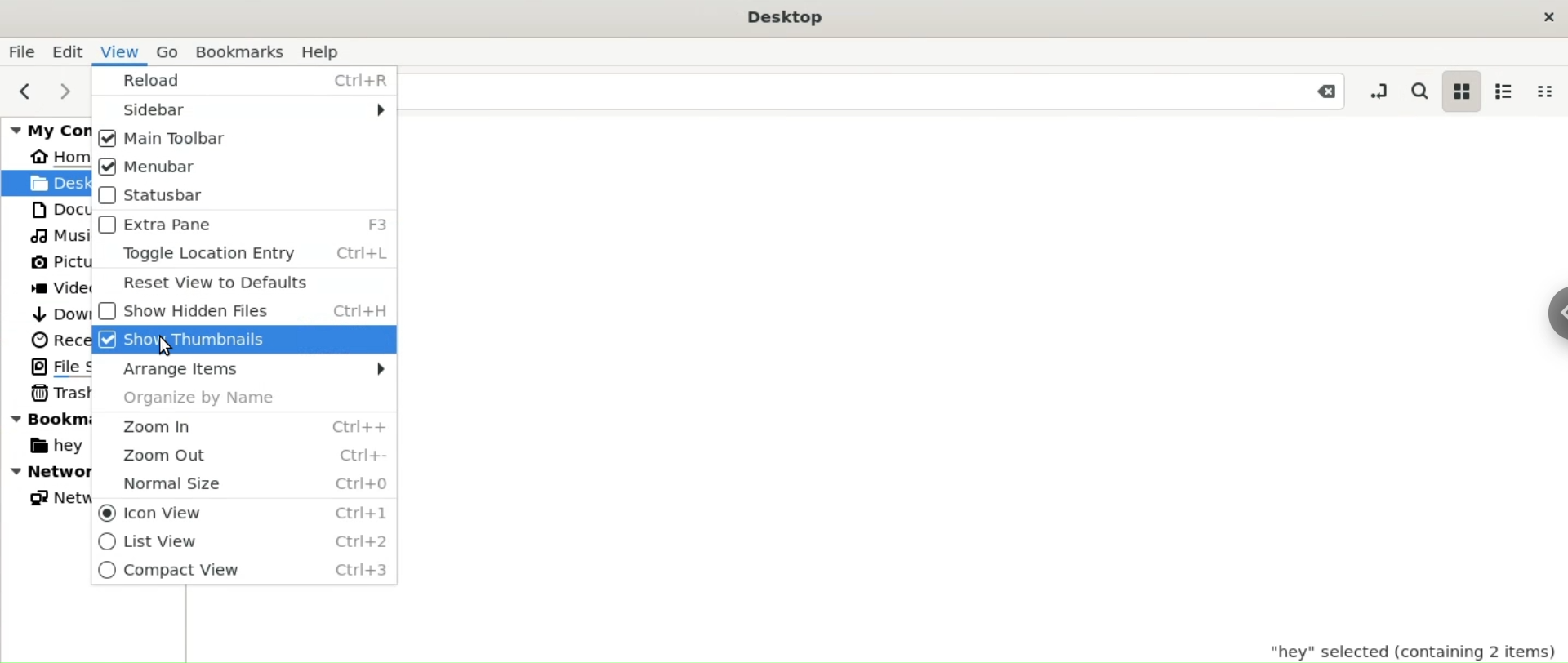 The image size is (1568, 663). I want to click on compact view, so click(1549, 90).